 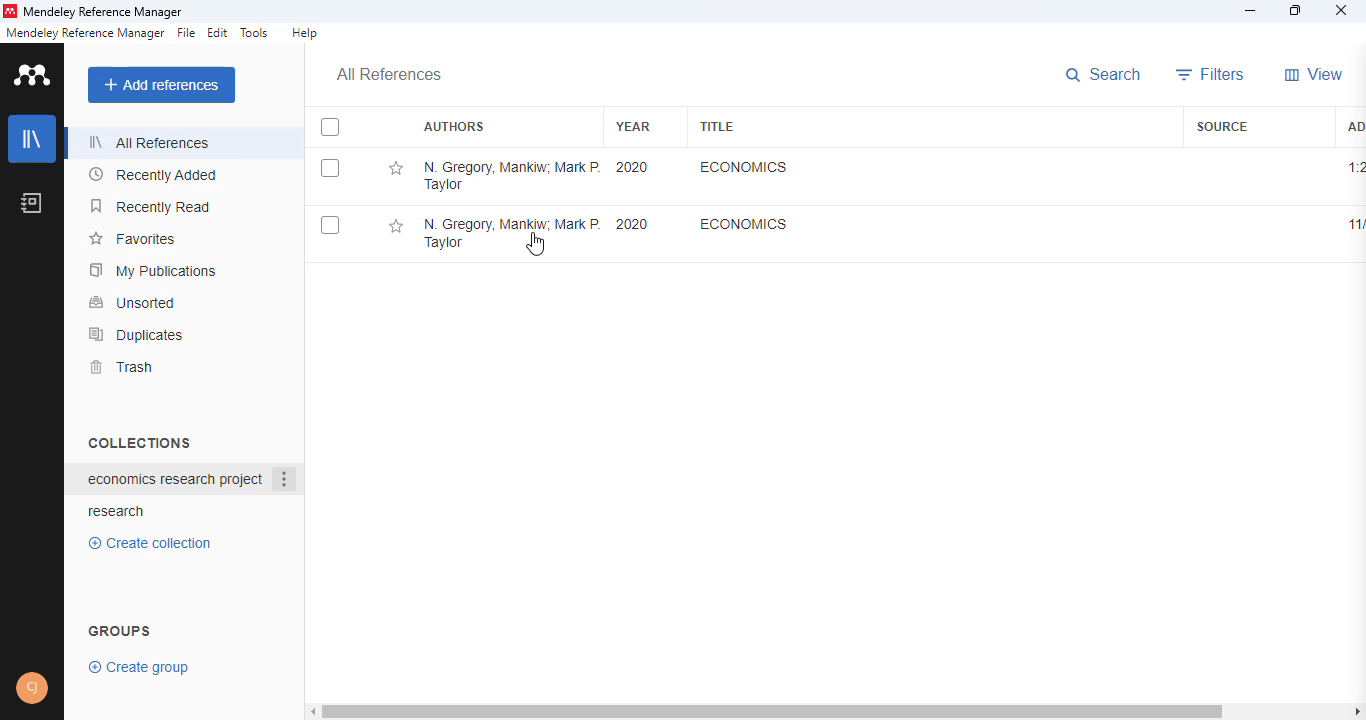 What do you see at coordinates (304, 33) in the screenshot?
I see `help` at bounding box center [304, 33].